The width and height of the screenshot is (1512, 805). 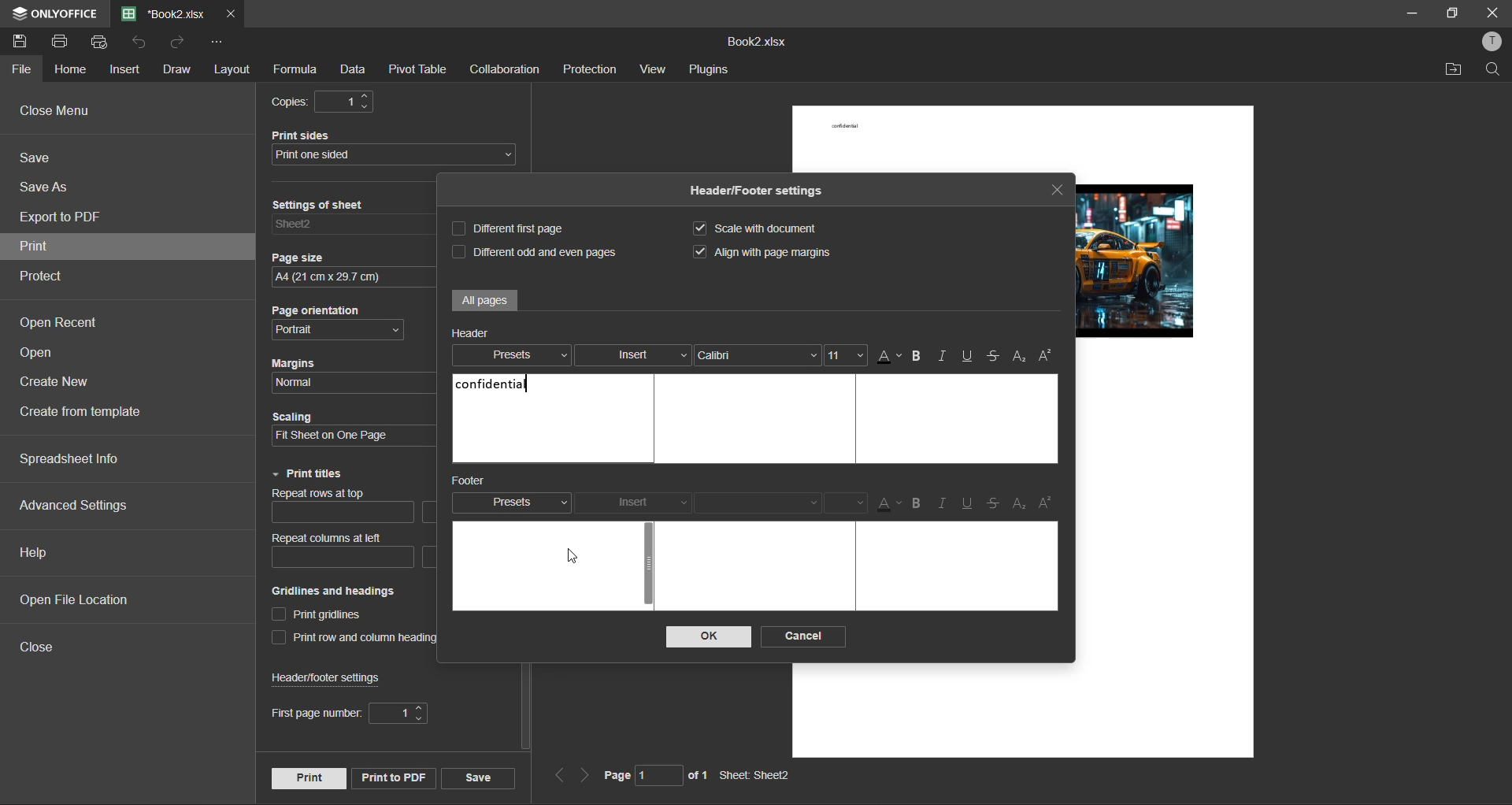 What do you see at coordinates (394, 778) in the screenshot?
I see `print to pdf` at bounding box center [394, 778].